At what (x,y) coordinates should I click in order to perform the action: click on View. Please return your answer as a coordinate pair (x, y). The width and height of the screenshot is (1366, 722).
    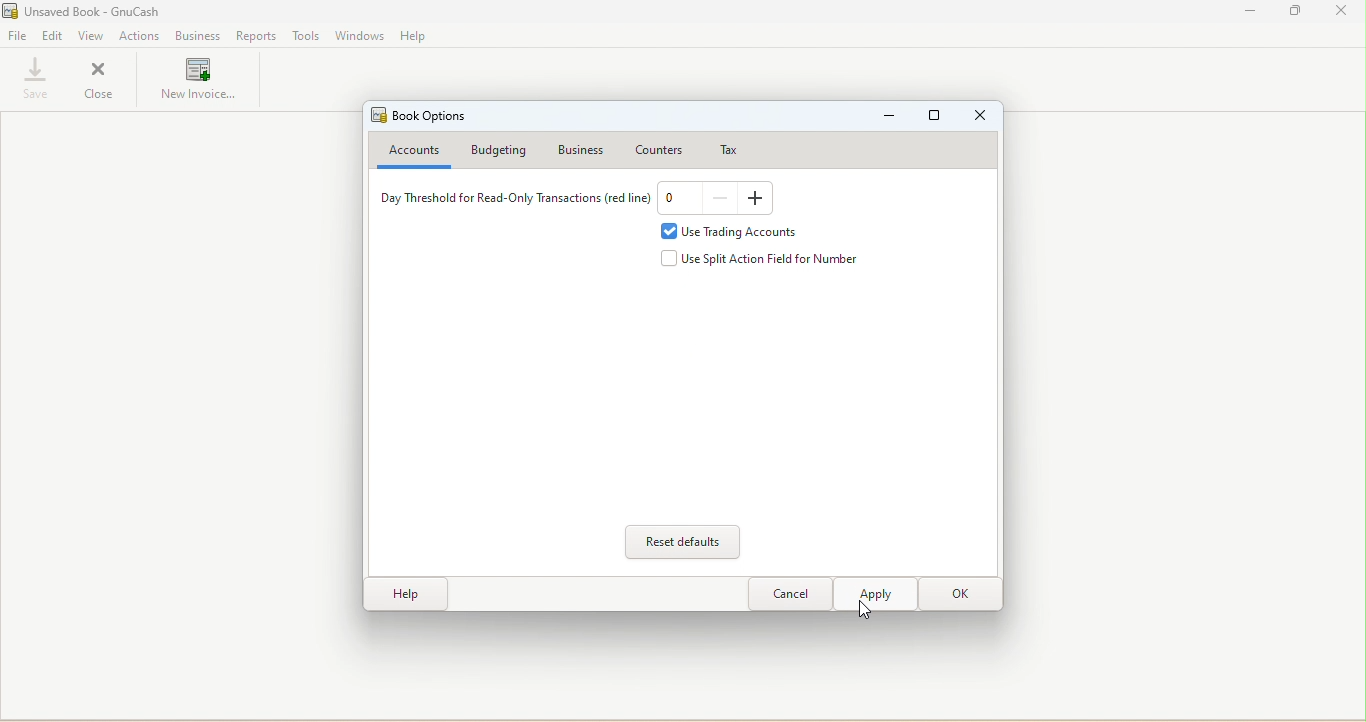
    Looking at the image, I should click on (93, 36).